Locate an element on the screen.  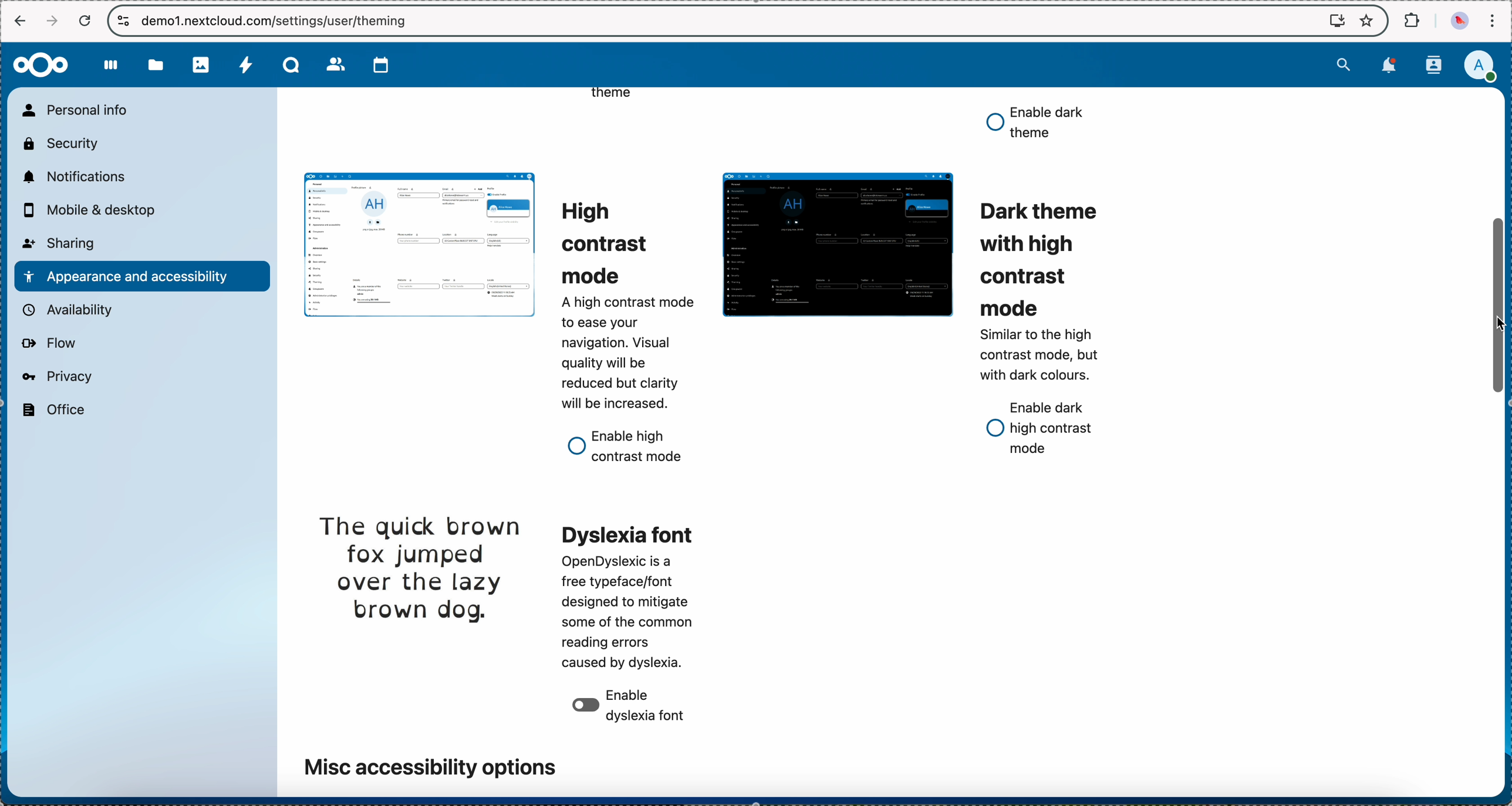
customize and control Google Chrome is located at coordinates (1496, 18).